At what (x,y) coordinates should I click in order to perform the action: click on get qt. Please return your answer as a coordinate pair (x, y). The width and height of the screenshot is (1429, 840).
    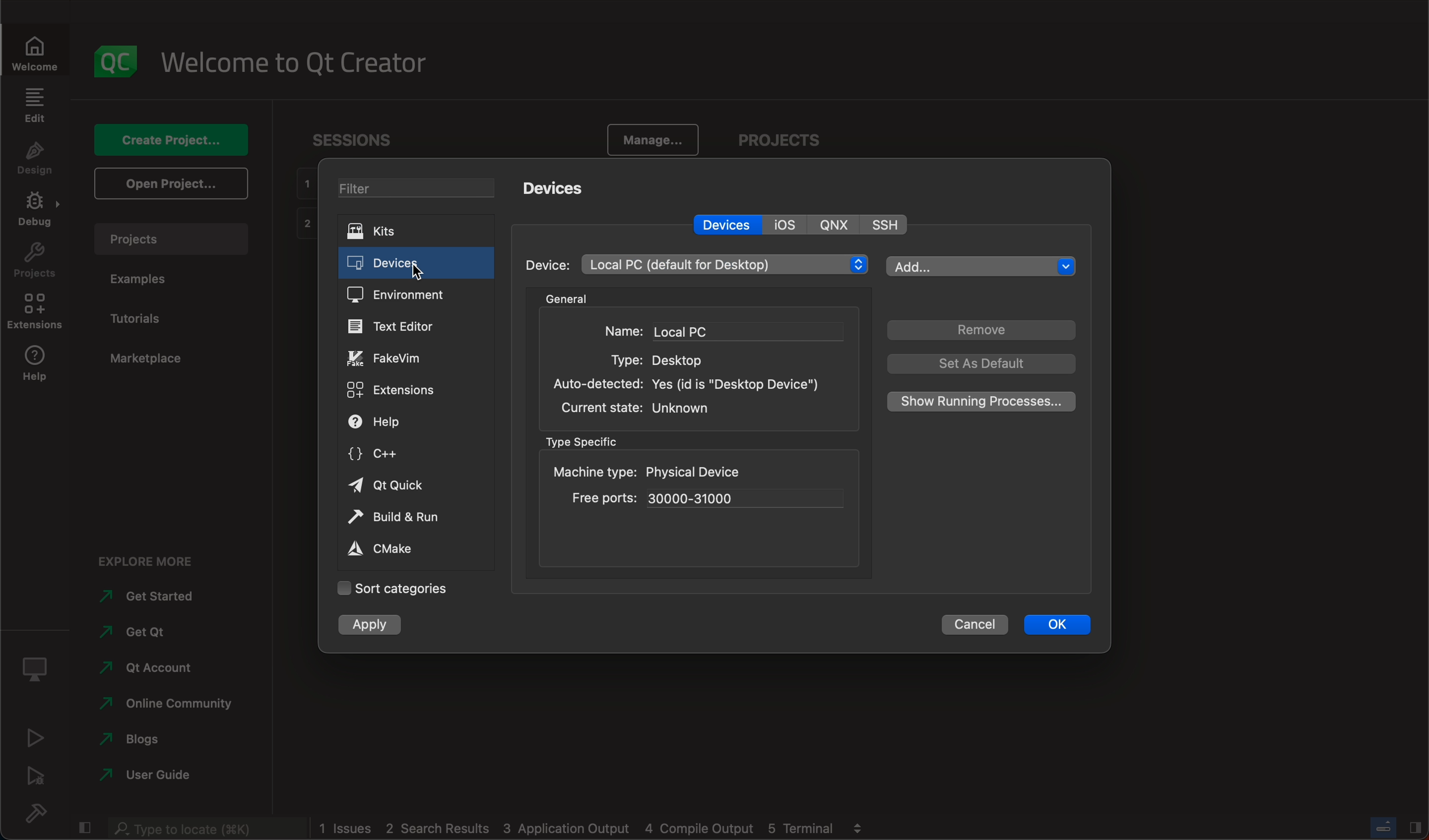
    Looking at the image, I should click on (164, 633).